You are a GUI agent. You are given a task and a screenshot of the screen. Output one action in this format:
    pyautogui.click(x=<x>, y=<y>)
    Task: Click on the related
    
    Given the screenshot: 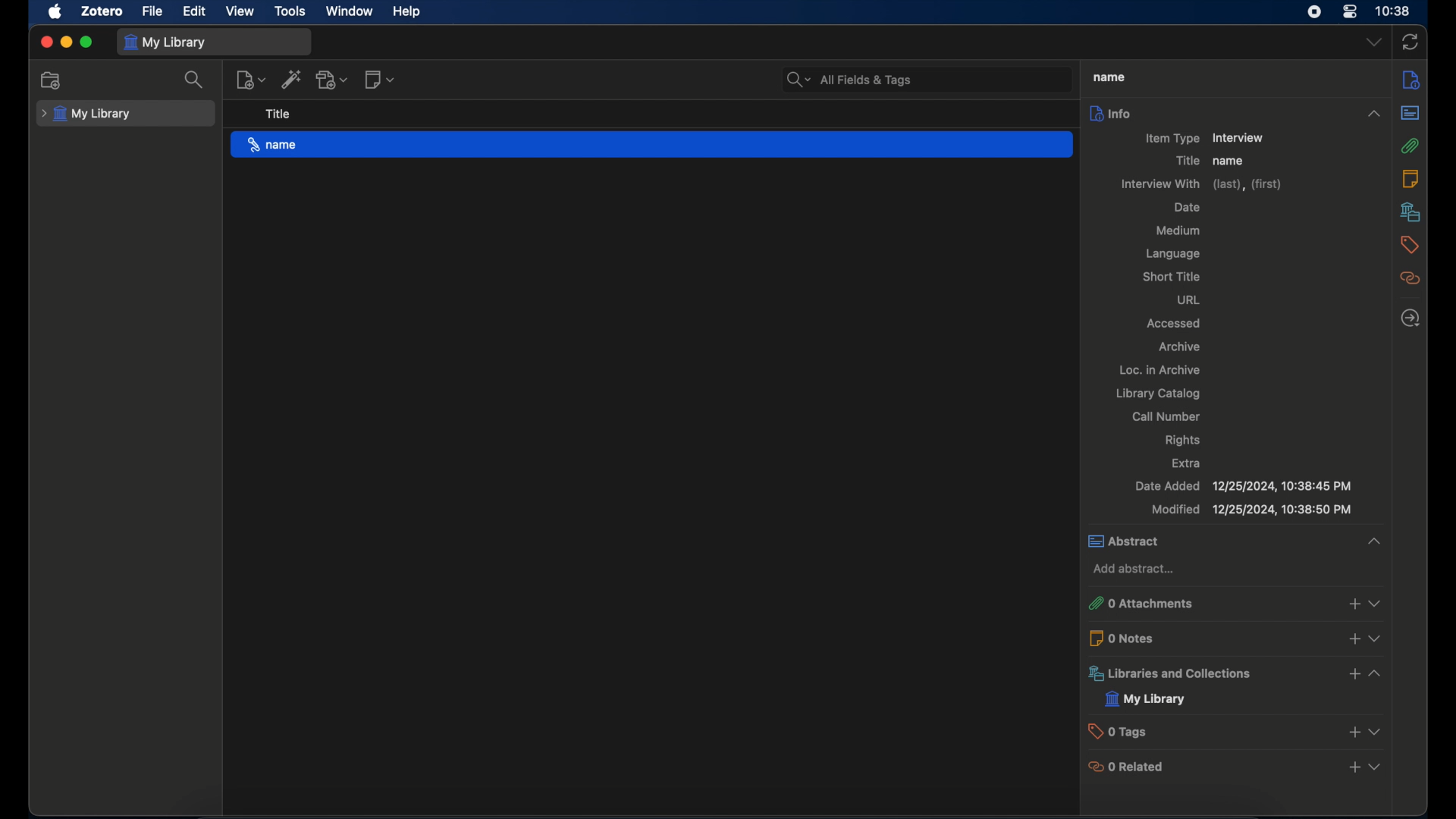 What is the action you would take?
    pyautogui.click(x=1410, y=278)
    